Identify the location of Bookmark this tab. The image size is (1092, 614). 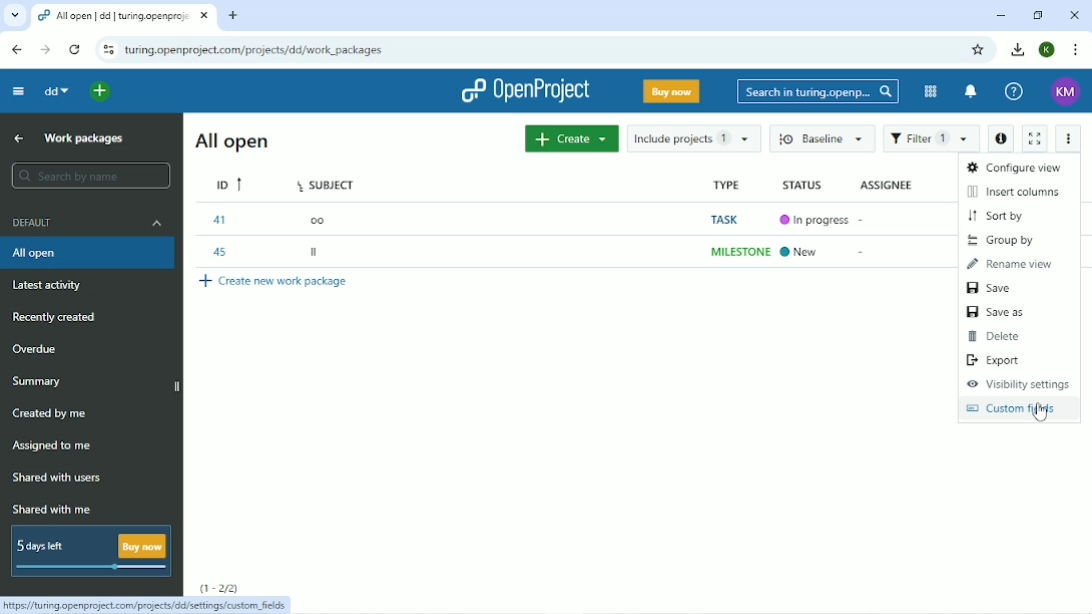
(977, 50).